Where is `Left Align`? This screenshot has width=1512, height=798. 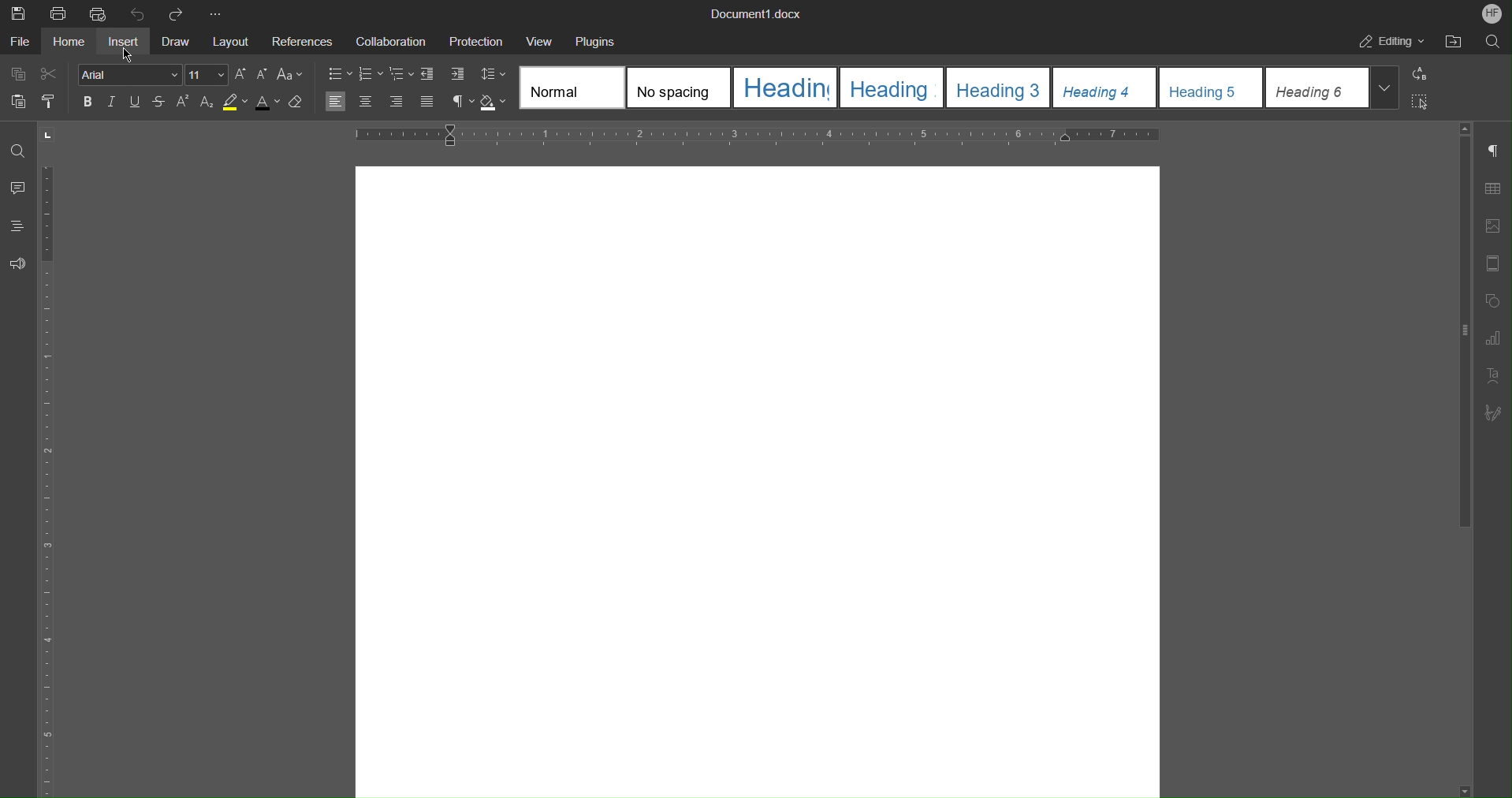 Left Align is located at coordinates (334, 102).